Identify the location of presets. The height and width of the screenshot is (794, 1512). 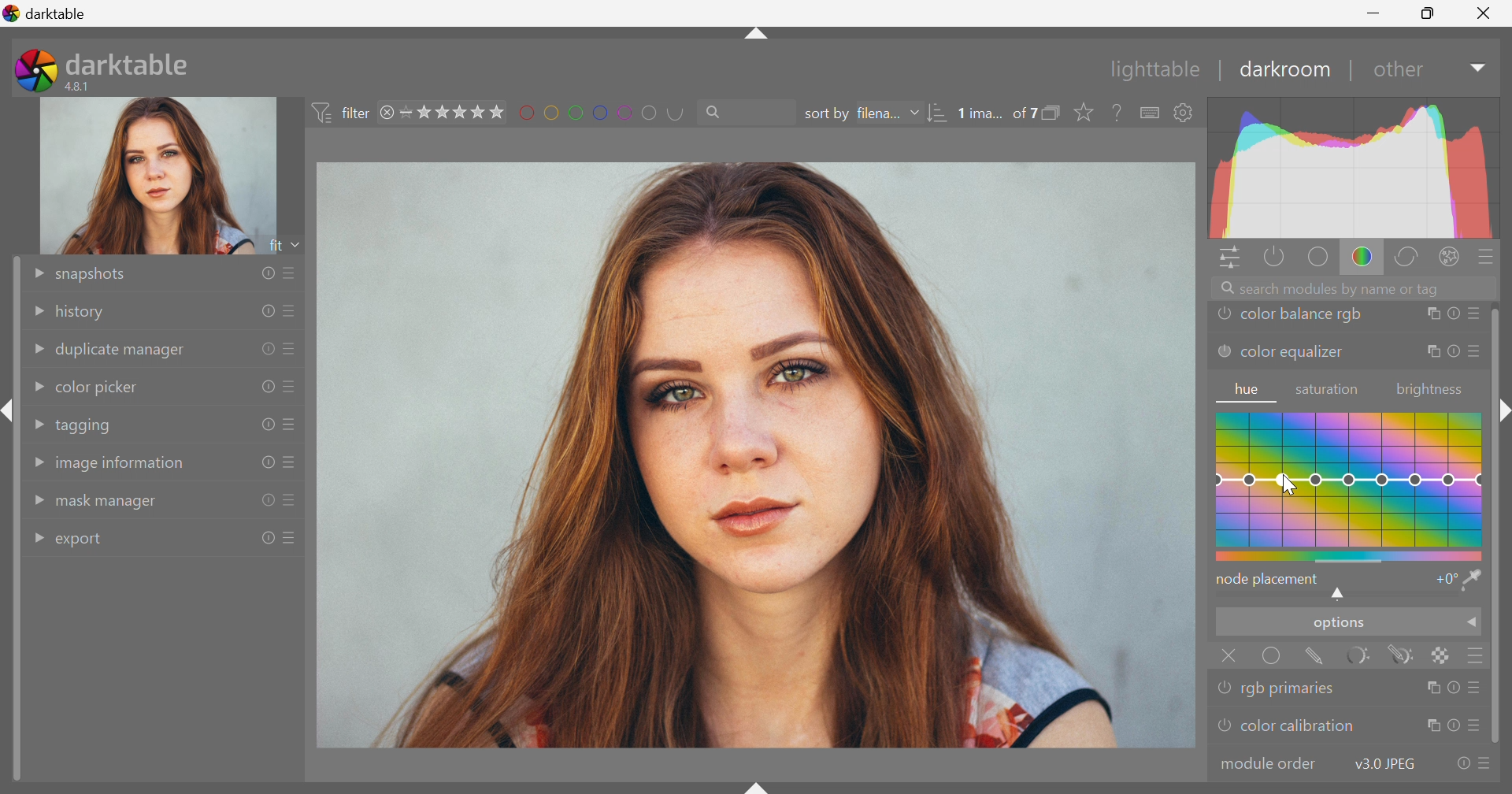
(291, 311).